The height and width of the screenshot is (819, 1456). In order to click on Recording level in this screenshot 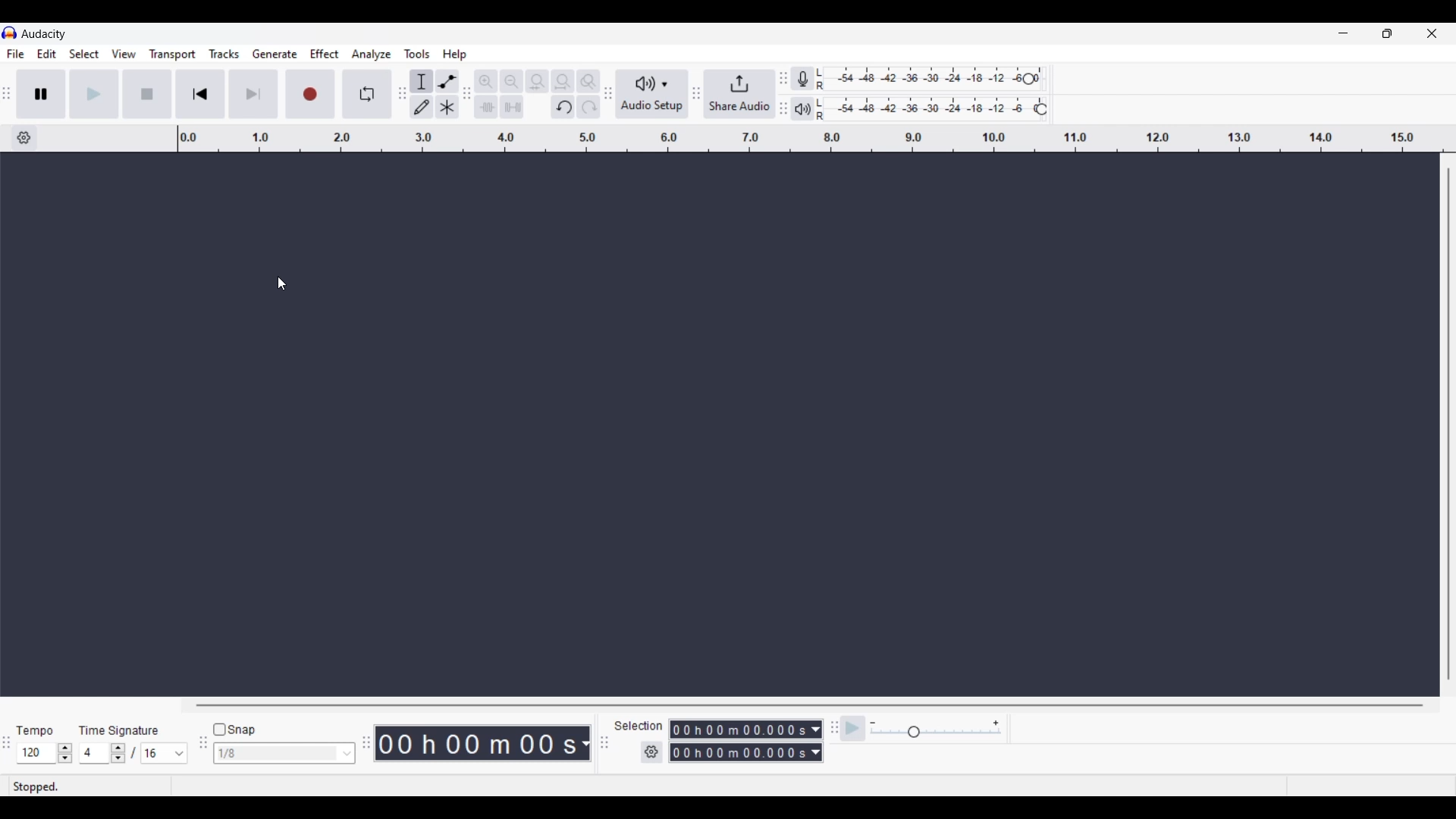, I will do `click(922, 80)`.